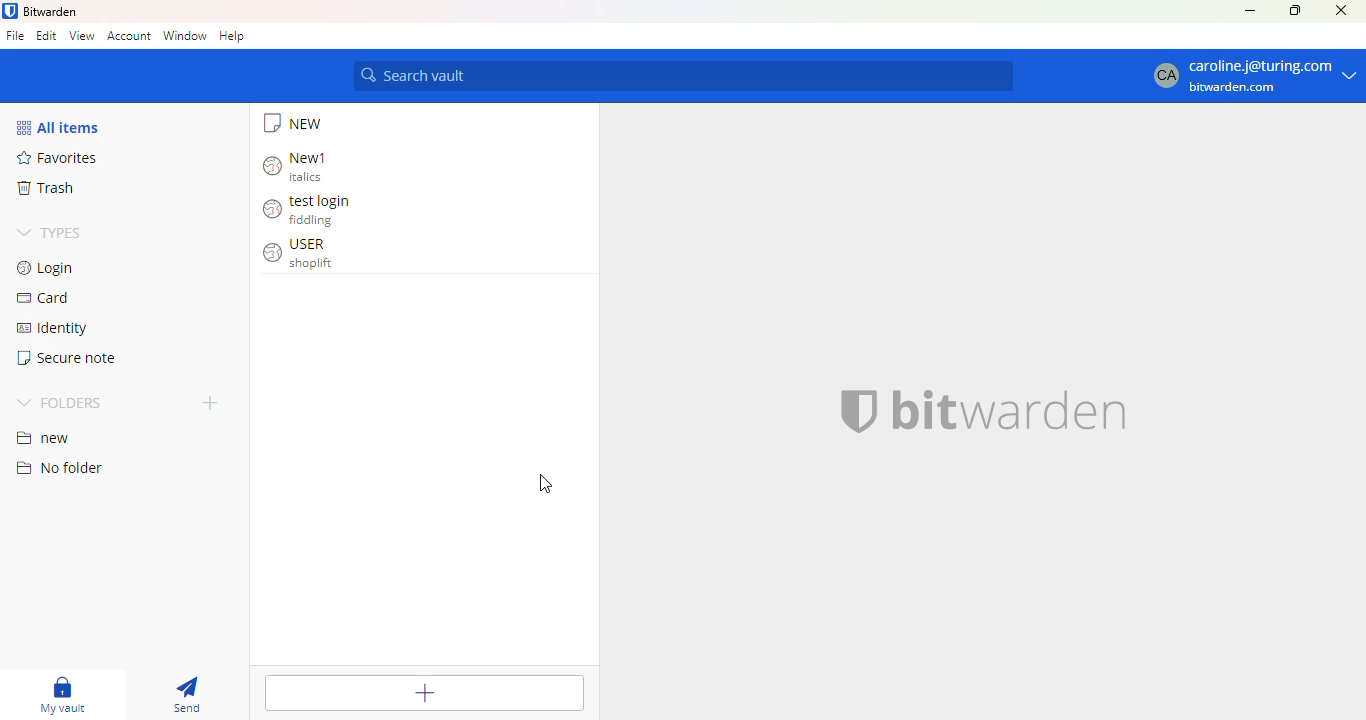 This screenshot has width=1366, height=720. What do you see at coordinates (61, 403) in the screenshot?
I see `folders` at bounding box center [61, 403].